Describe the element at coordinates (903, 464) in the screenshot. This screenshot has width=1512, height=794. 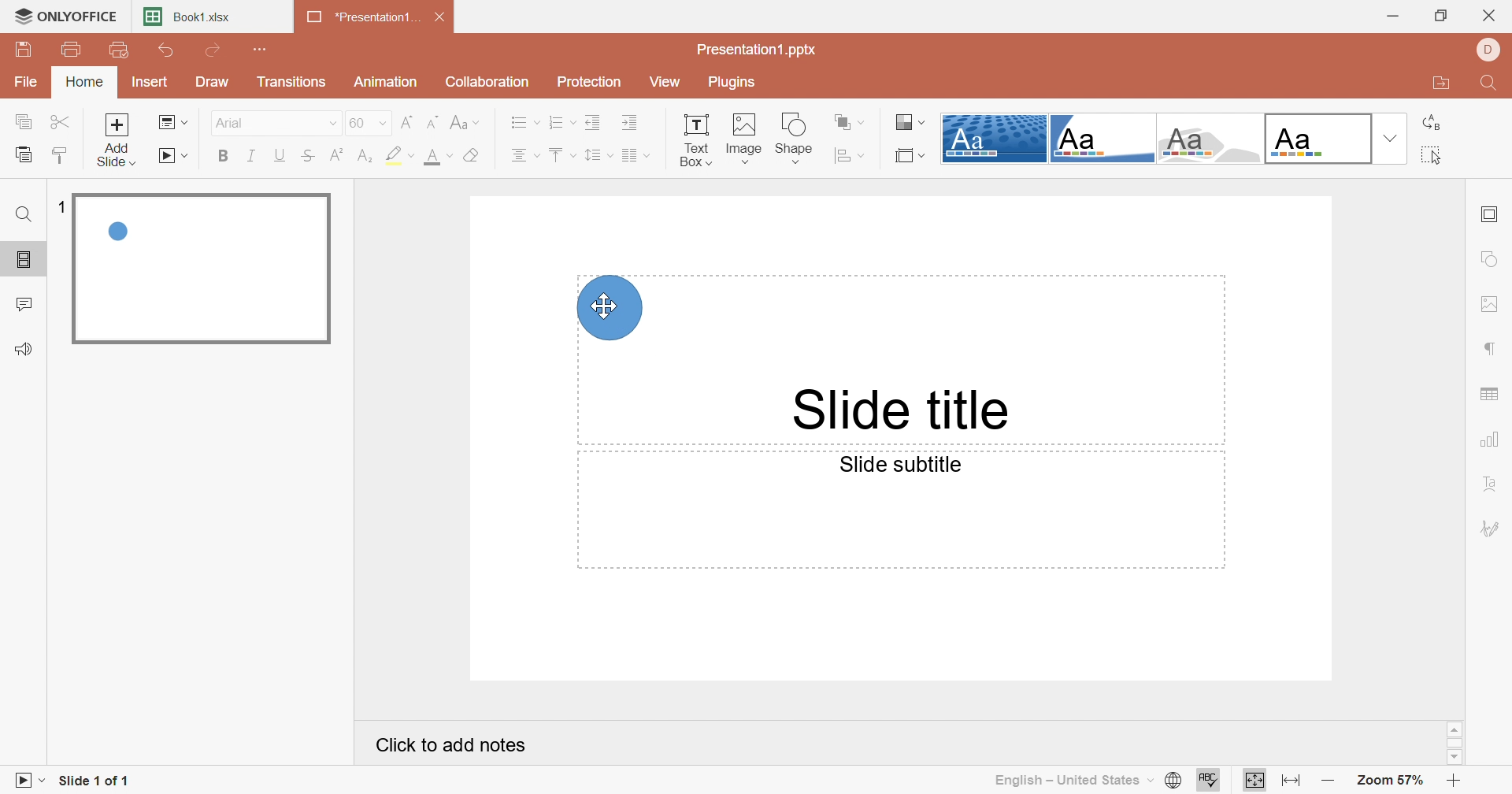
I see `Slide subtitle` at that location.